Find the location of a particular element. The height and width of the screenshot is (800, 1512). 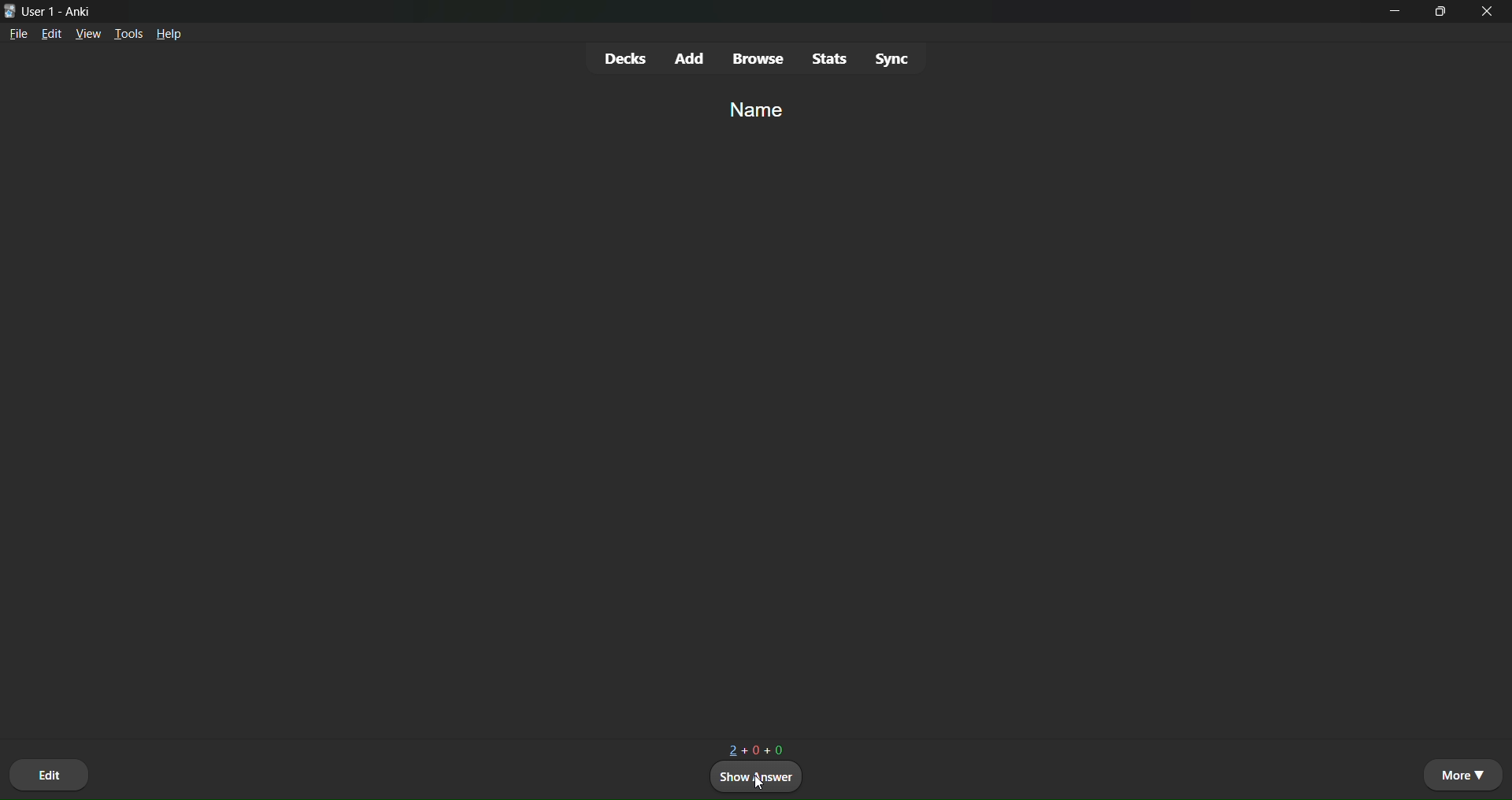

edit is located at coordinates (51, 36).